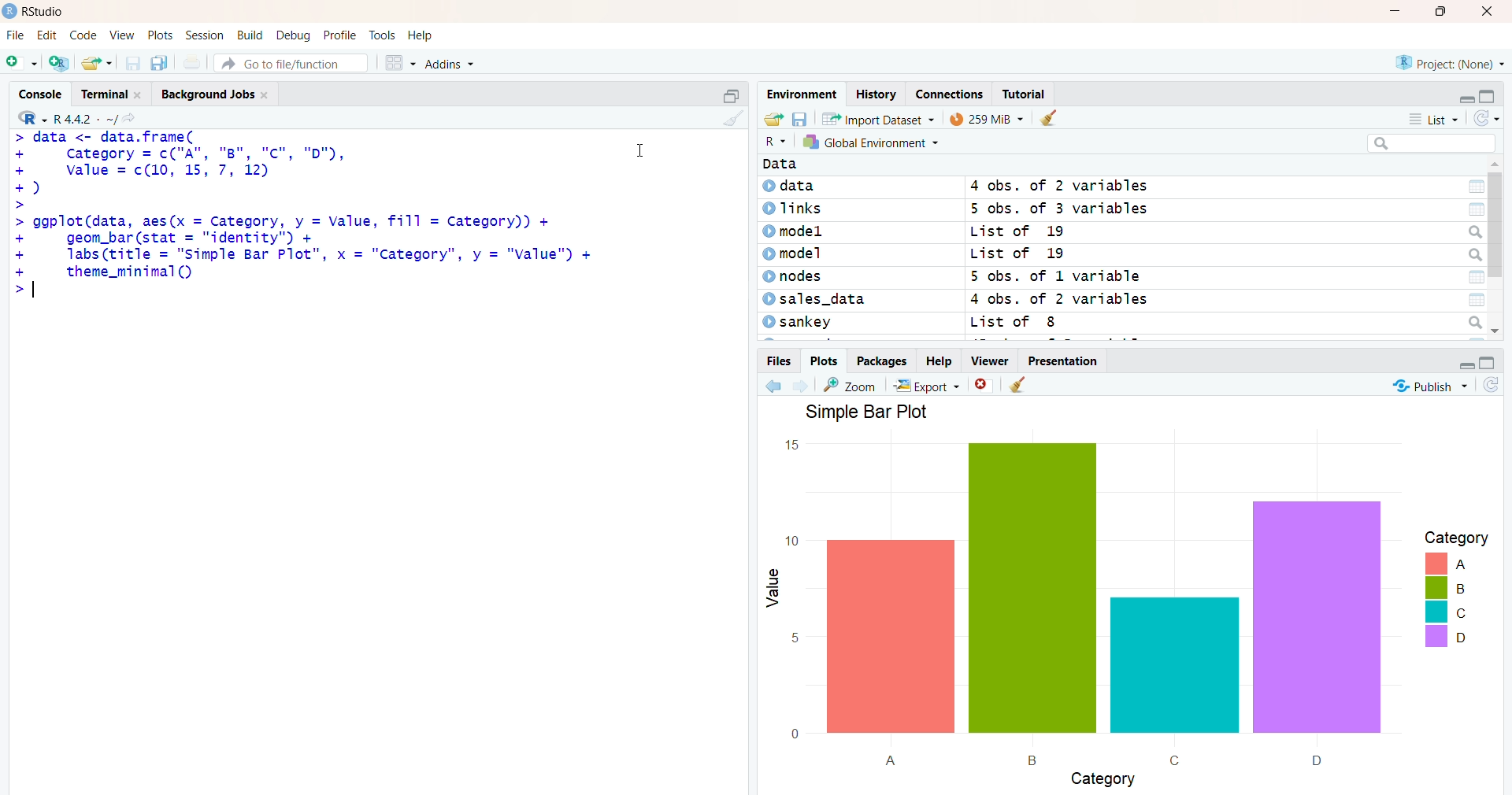  Describe the element at coordinates (399, 62) in the screenshot. I see `grid view` at that location.